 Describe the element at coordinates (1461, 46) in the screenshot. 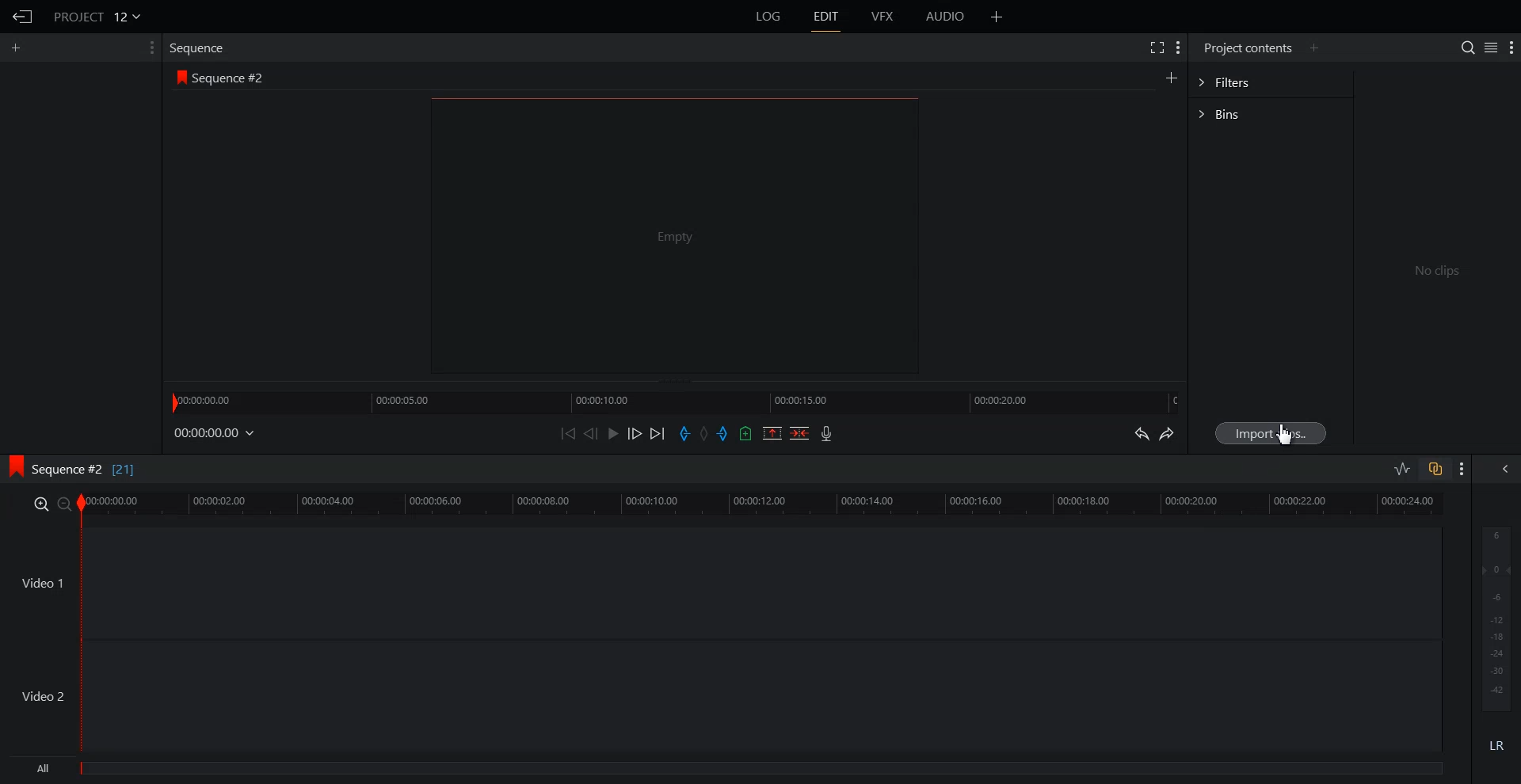

I see `Search` at that location.